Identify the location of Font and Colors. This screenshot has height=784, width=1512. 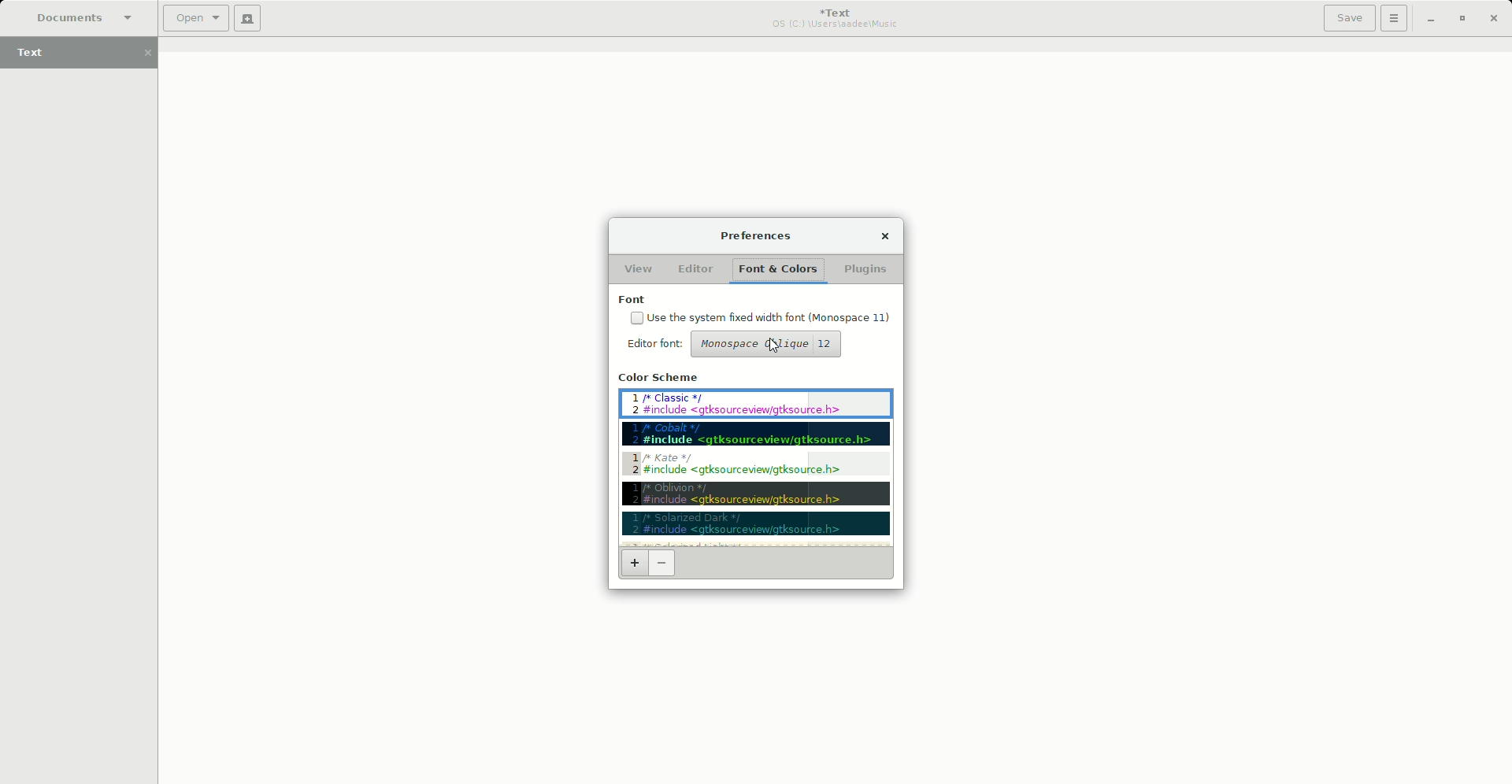
(780, 269).